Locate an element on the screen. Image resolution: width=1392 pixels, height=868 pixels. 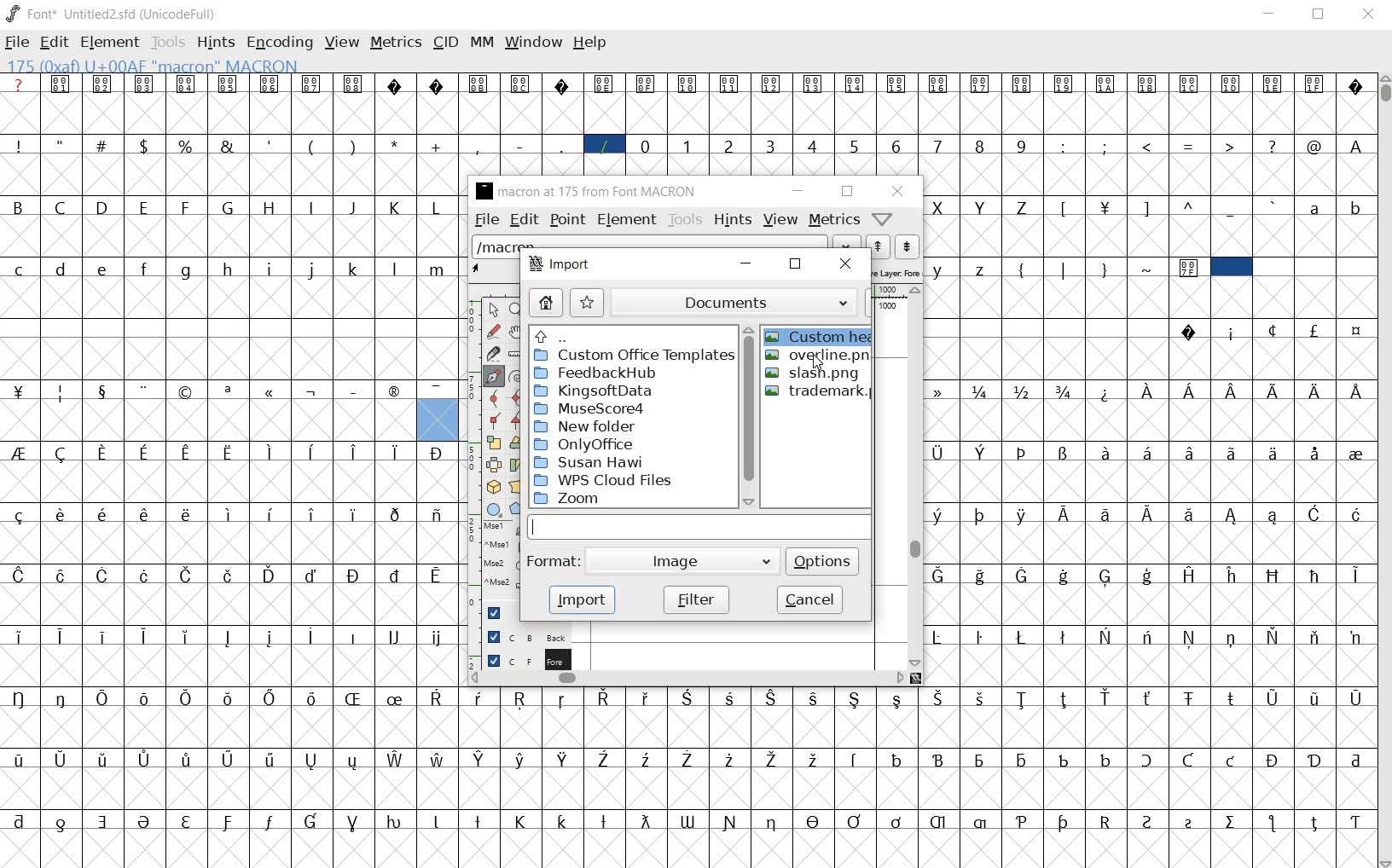
cell selected is located at coordinates (1231, 267).